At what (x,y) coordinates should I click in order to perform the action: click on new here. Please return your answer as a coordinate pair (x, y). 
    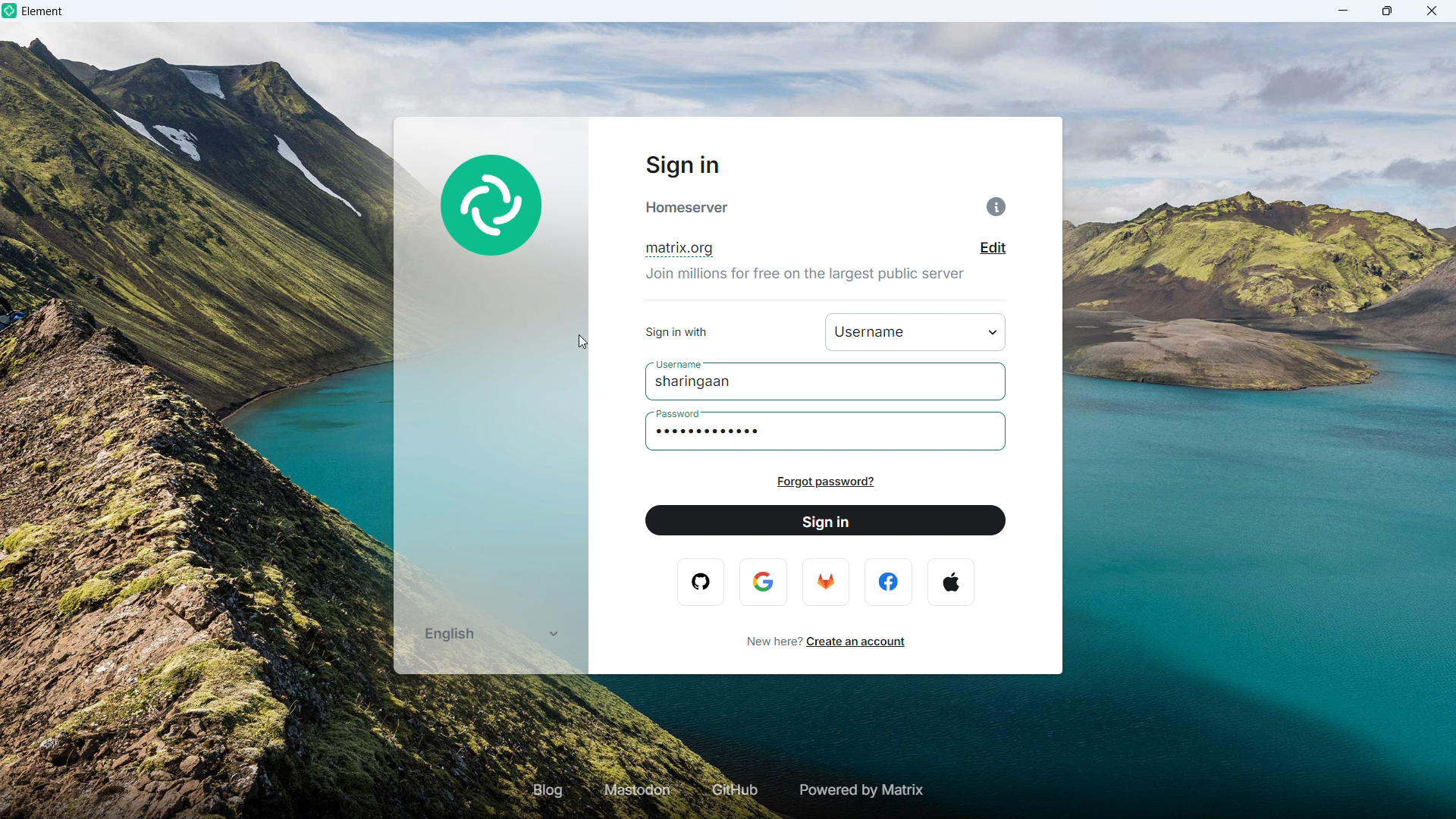
    Looking at the image, I should click on (767, 642).